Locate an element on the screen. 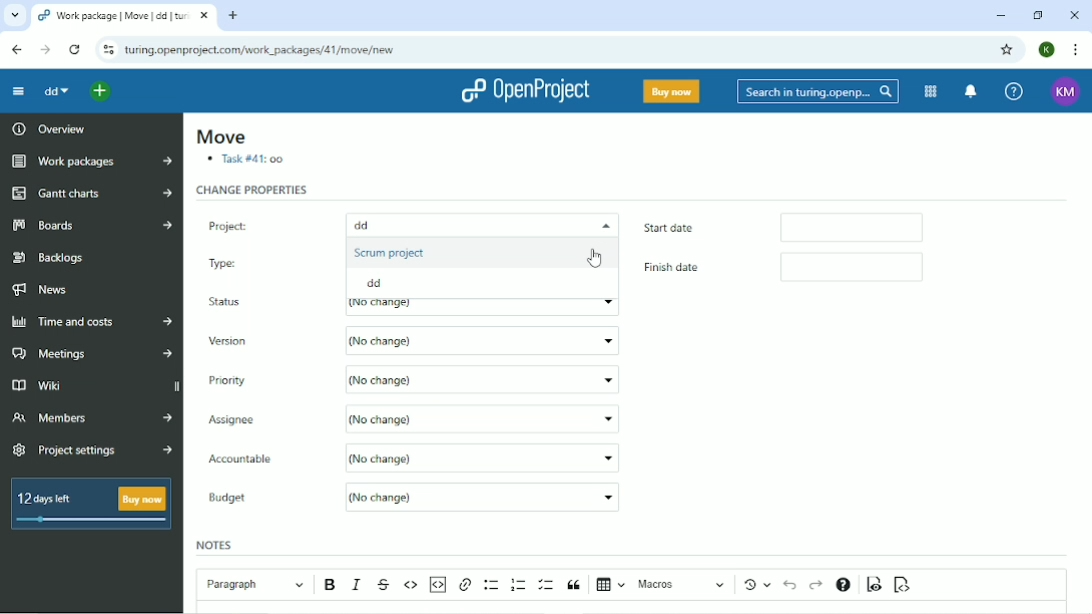  Boards is located at coordinates (93, 224).